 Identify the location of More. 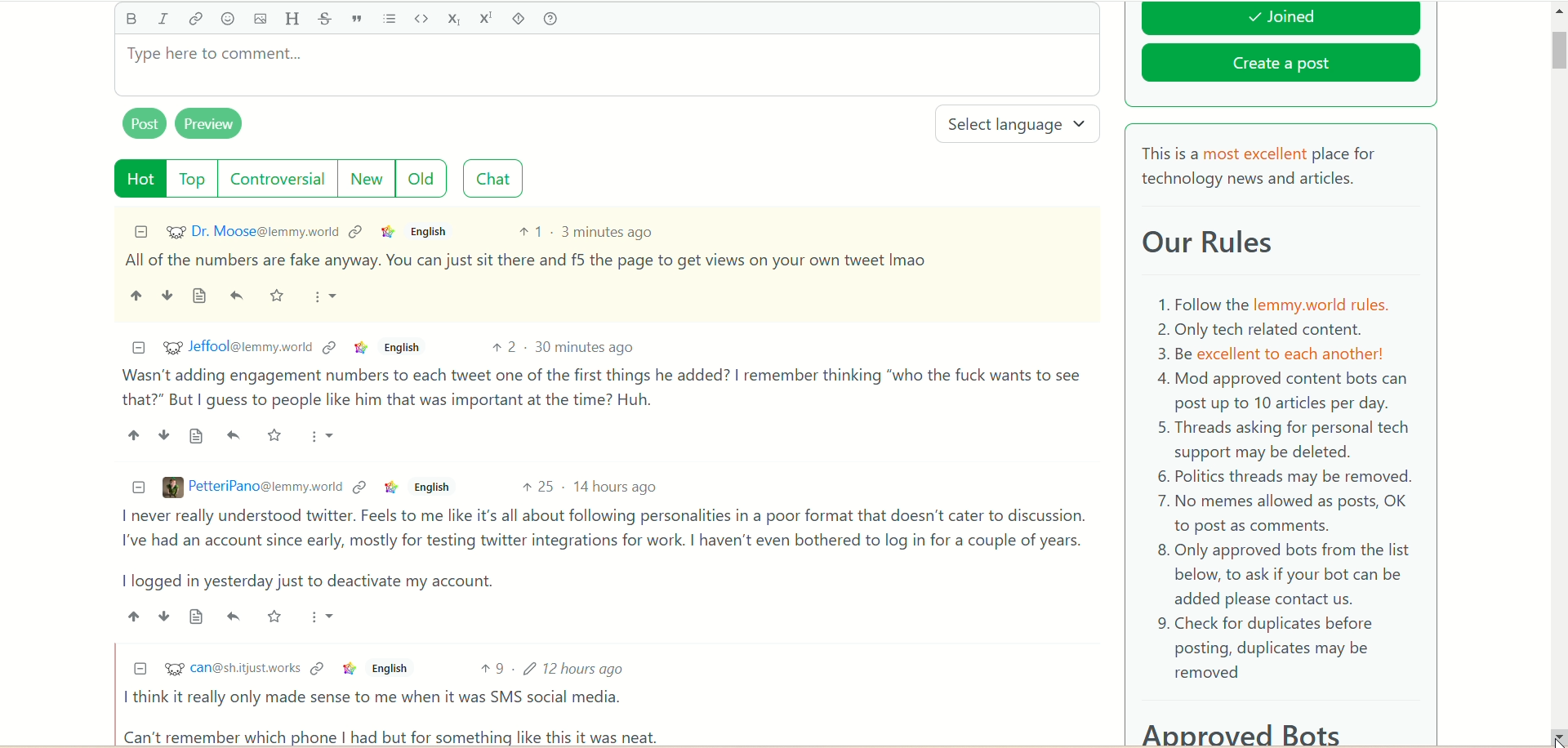
(325, 616).